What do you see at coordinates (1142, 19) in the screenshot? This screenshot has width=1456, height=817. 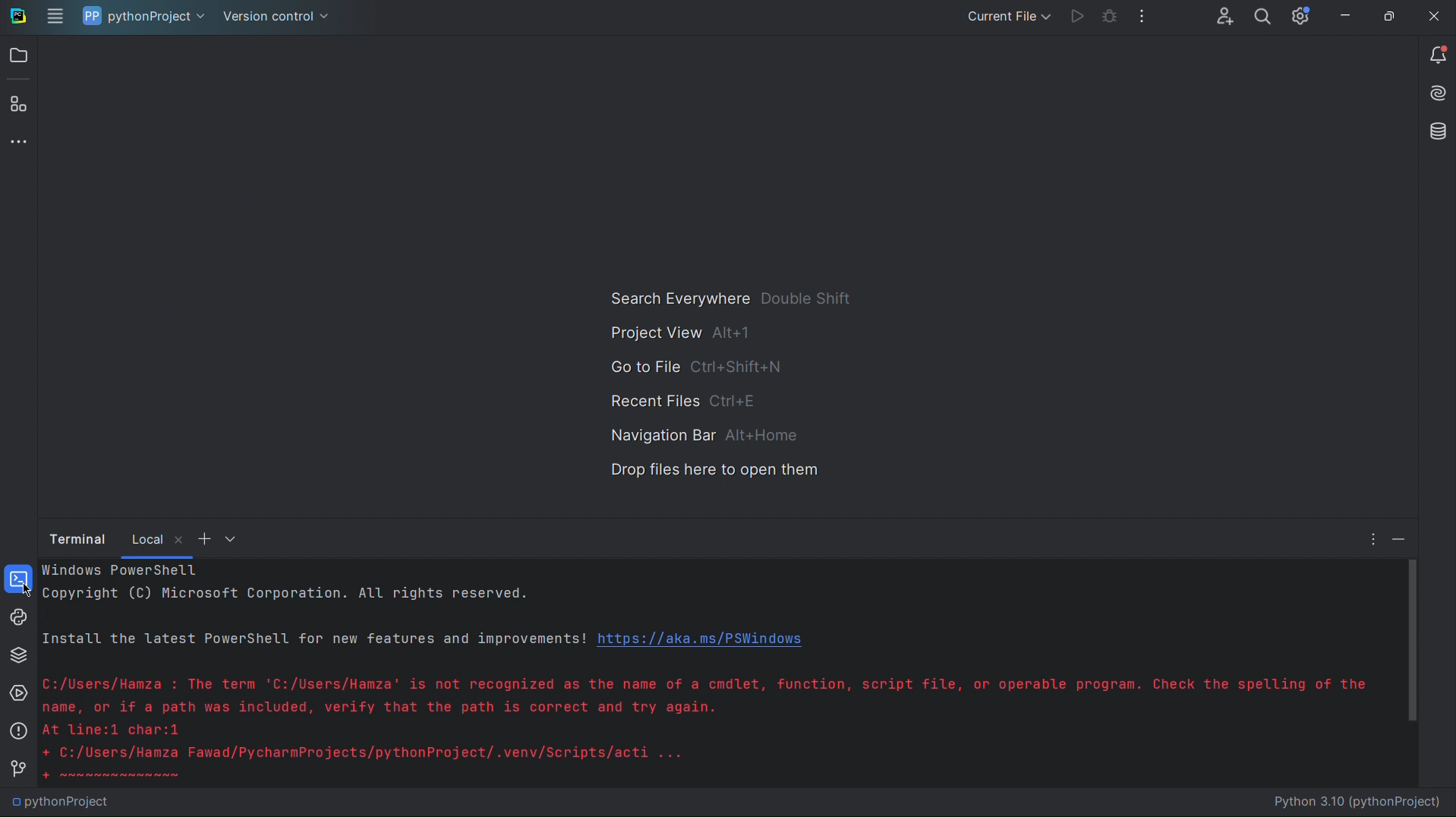 I see `More` at bounding box center [1142, 19].